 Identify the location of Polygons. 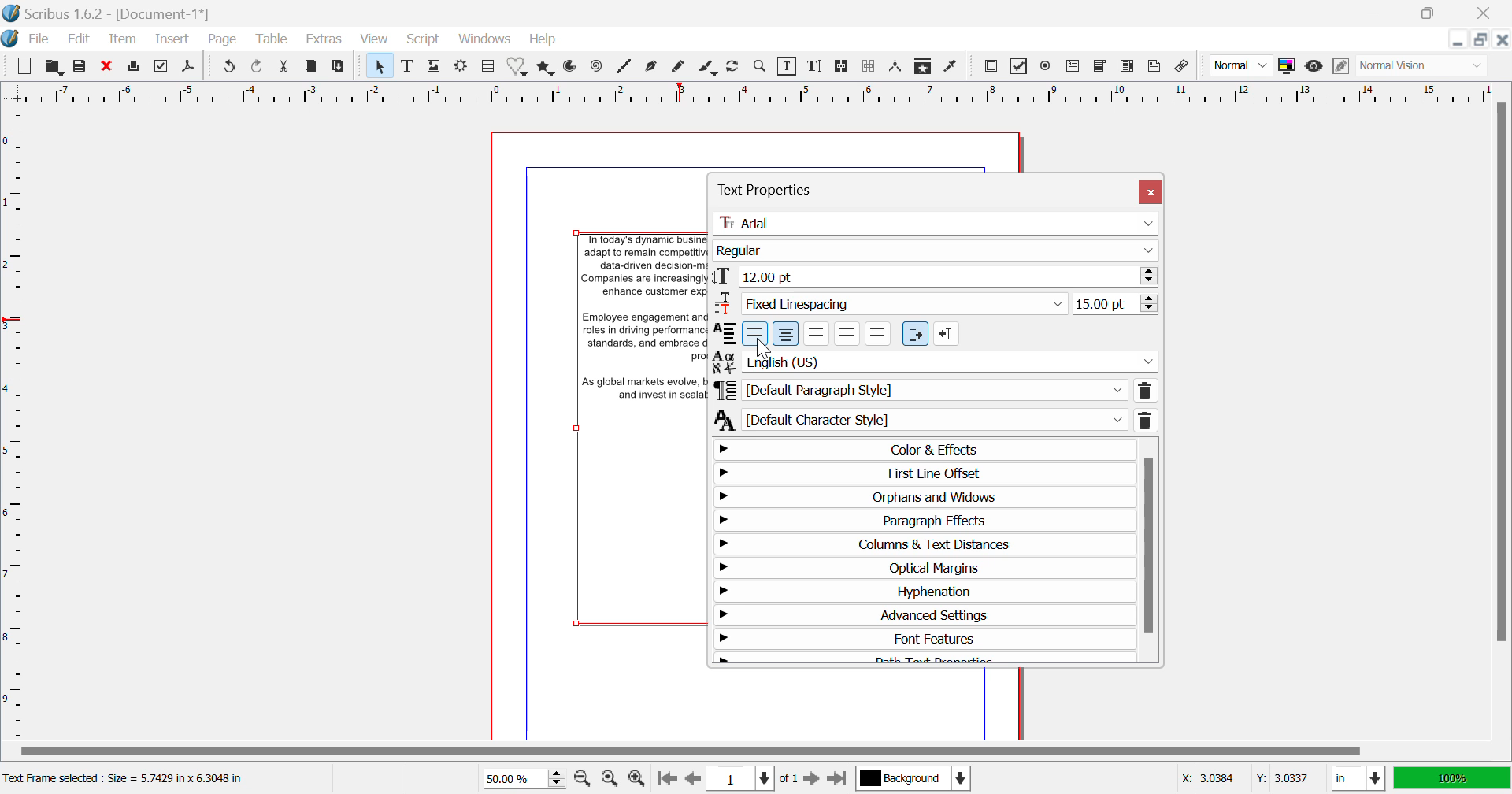
(547, 66).